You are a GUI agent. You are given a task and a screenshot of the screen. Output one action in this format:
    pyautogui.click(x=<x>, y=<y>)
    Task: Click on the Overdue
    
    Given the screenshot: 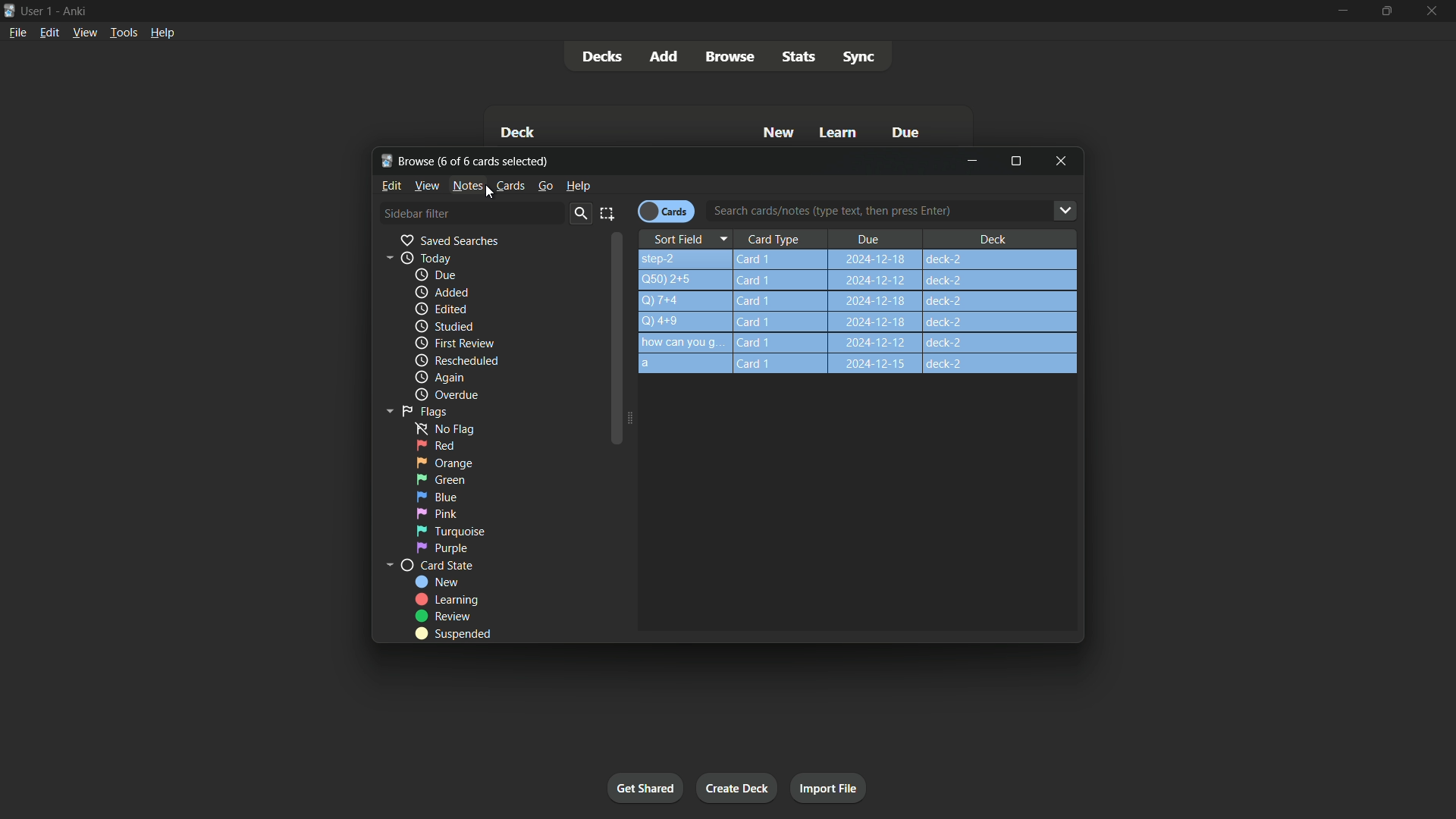 What is the action you would take?
    pyautogui.click(x=445, y=395)
    